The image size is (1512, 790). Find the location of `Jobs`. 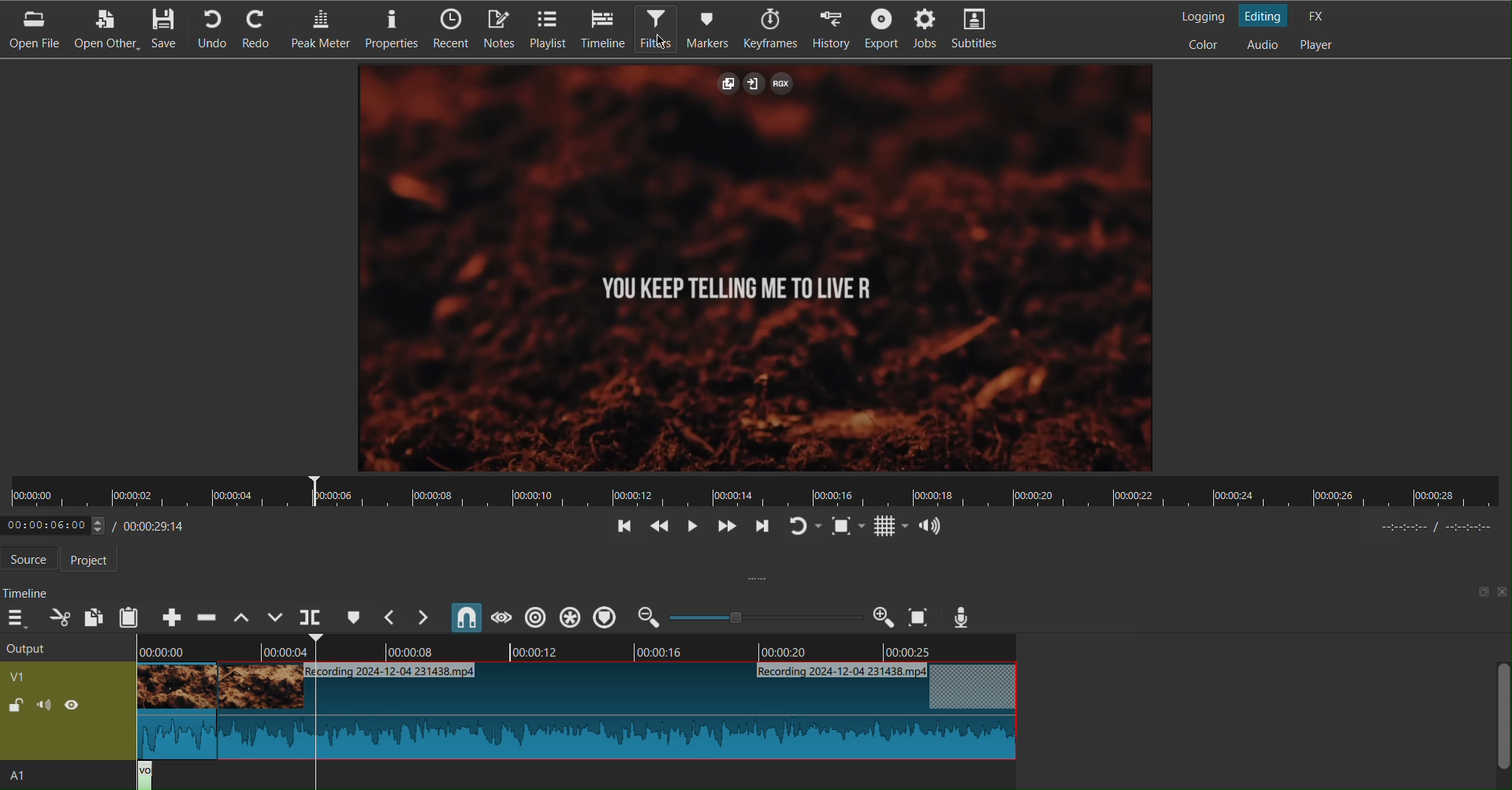

Jobs is located at coordinates (927, 30).